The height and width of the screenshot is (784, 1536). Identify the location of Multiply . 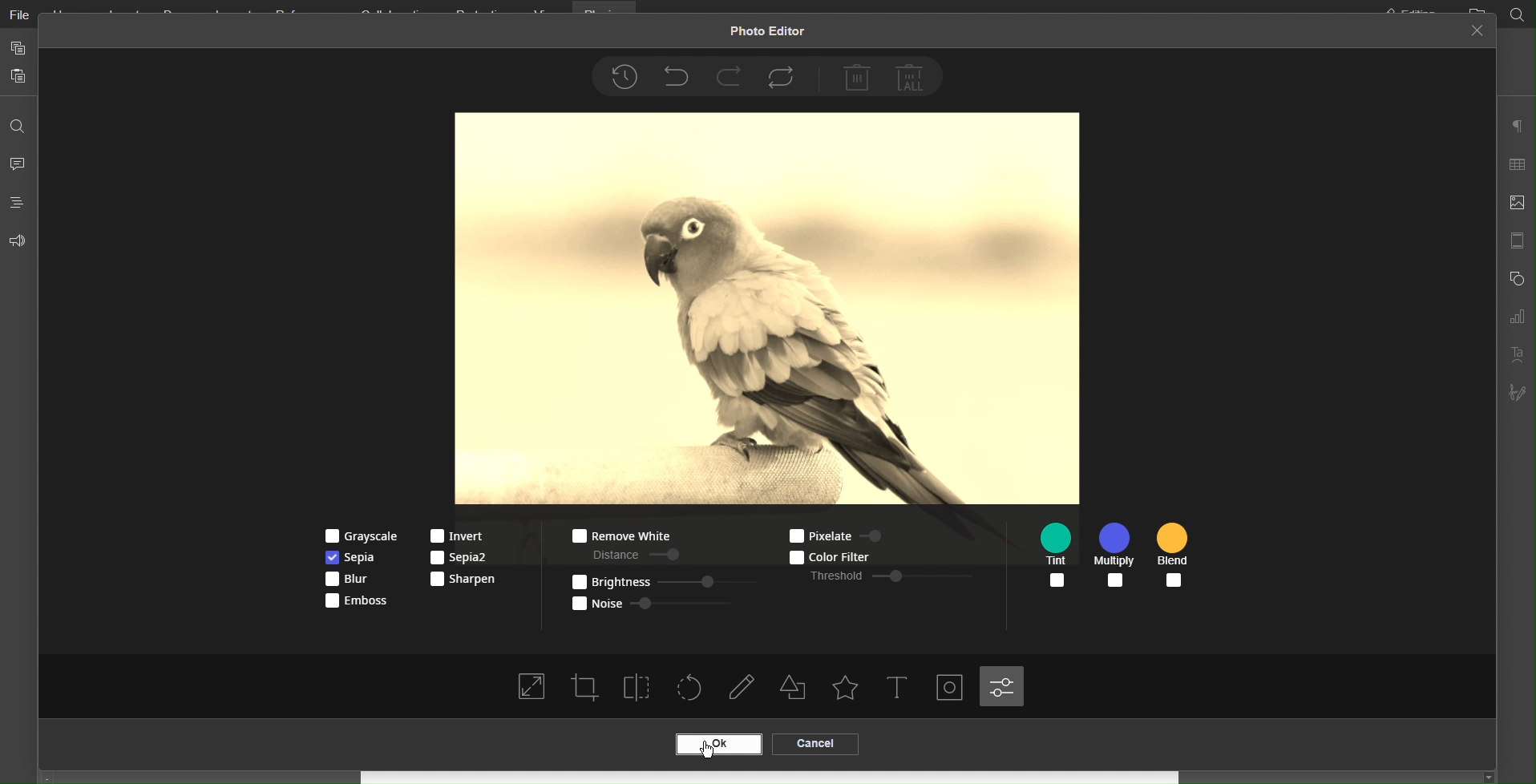
(1117, 556).